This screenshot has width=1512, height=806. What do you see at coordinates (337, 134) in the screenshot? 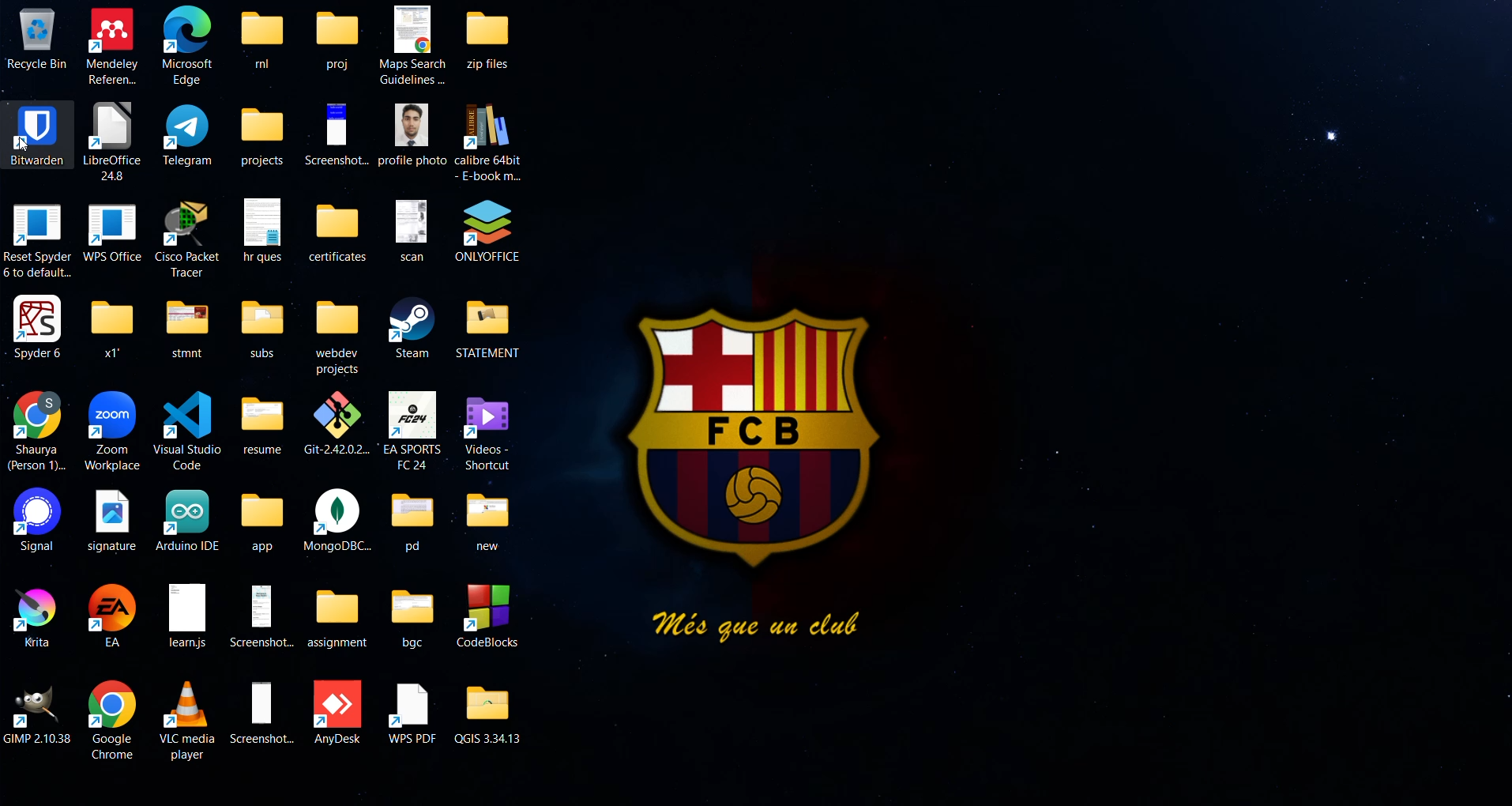
I see `Screenshot...` at bounding box center [337, 134].